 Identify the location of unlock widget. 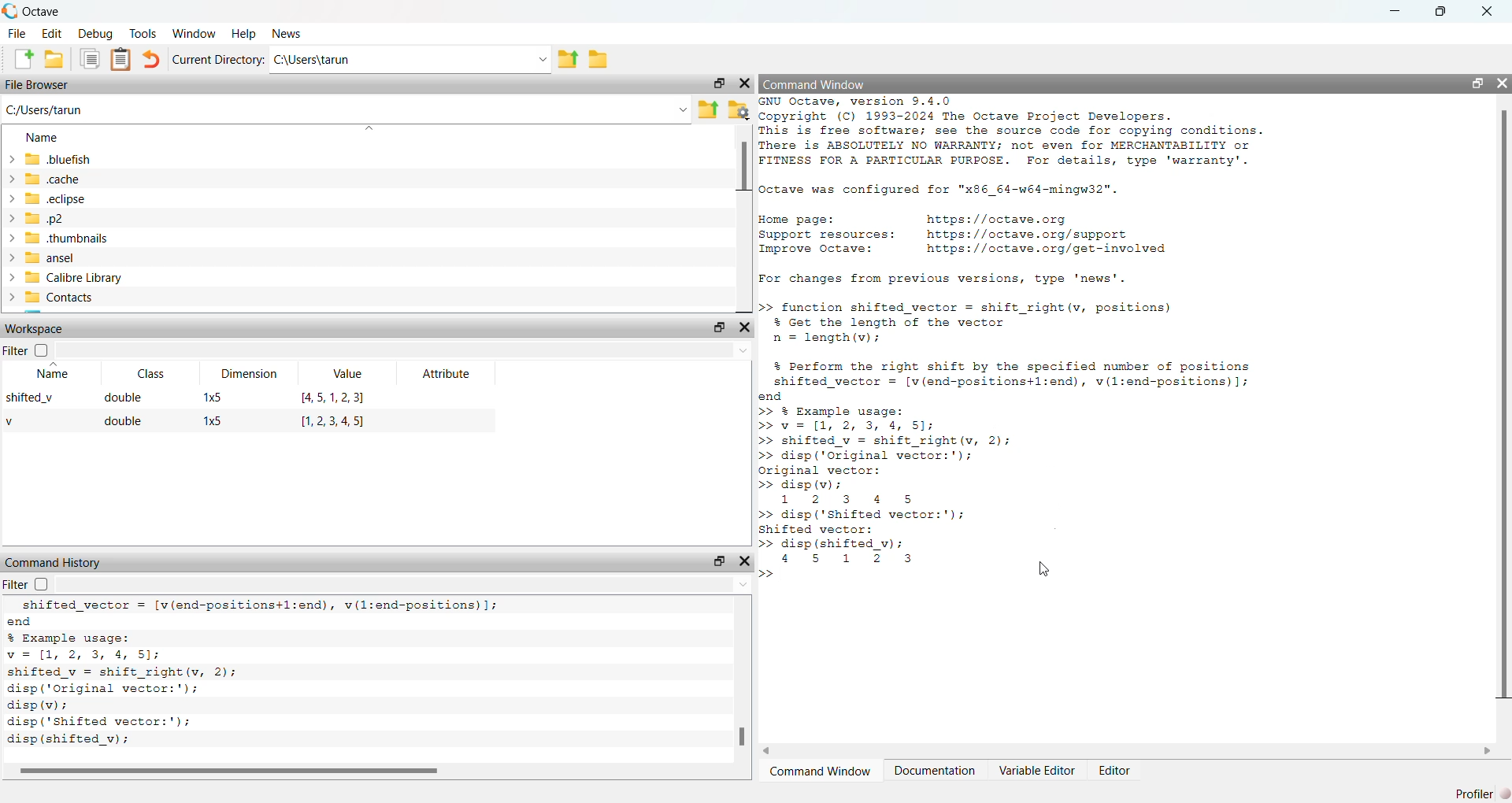
(713, 83).